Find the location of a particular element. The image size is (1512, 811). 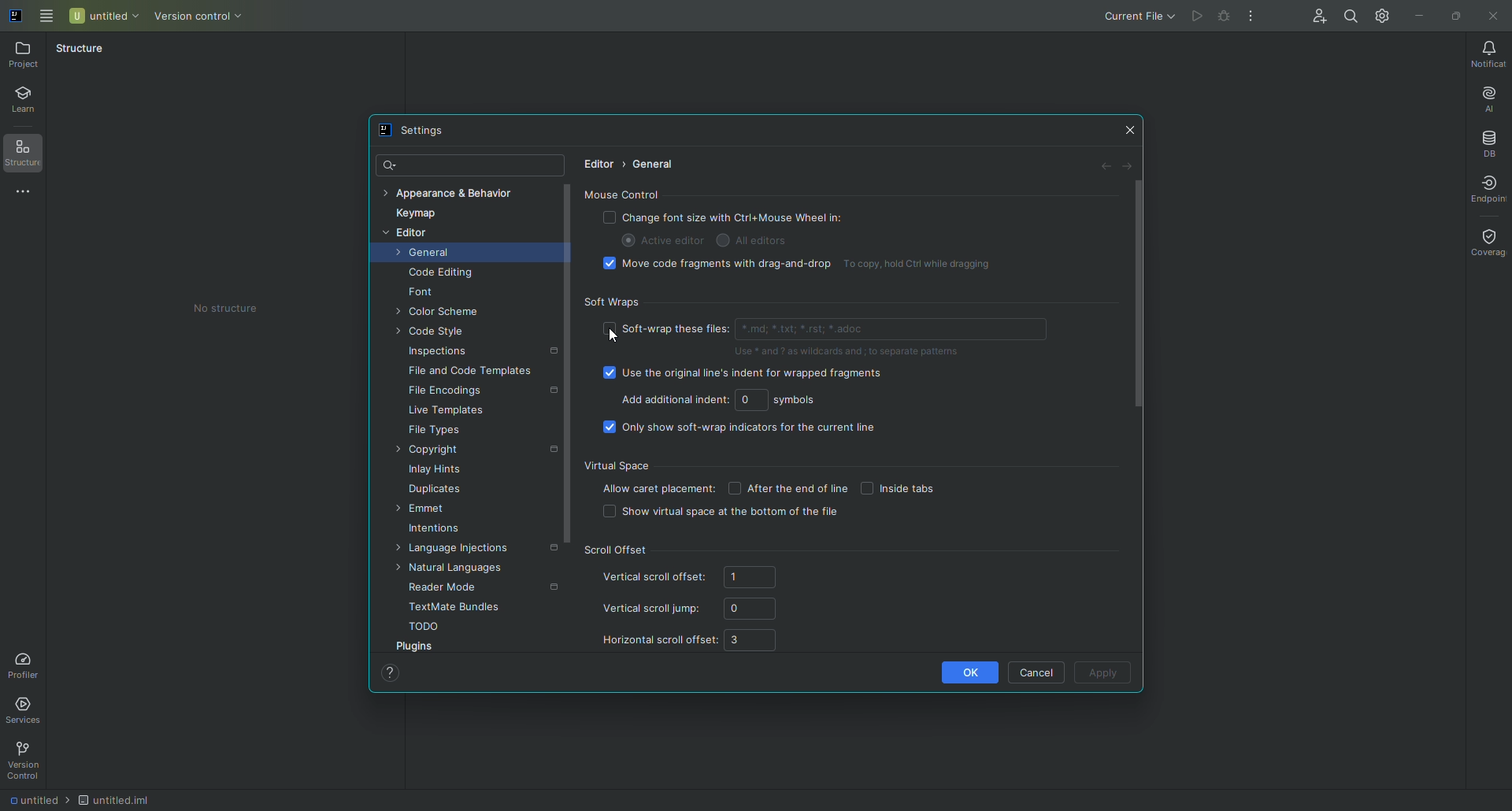

Settings is located at coordinates (418, 131).